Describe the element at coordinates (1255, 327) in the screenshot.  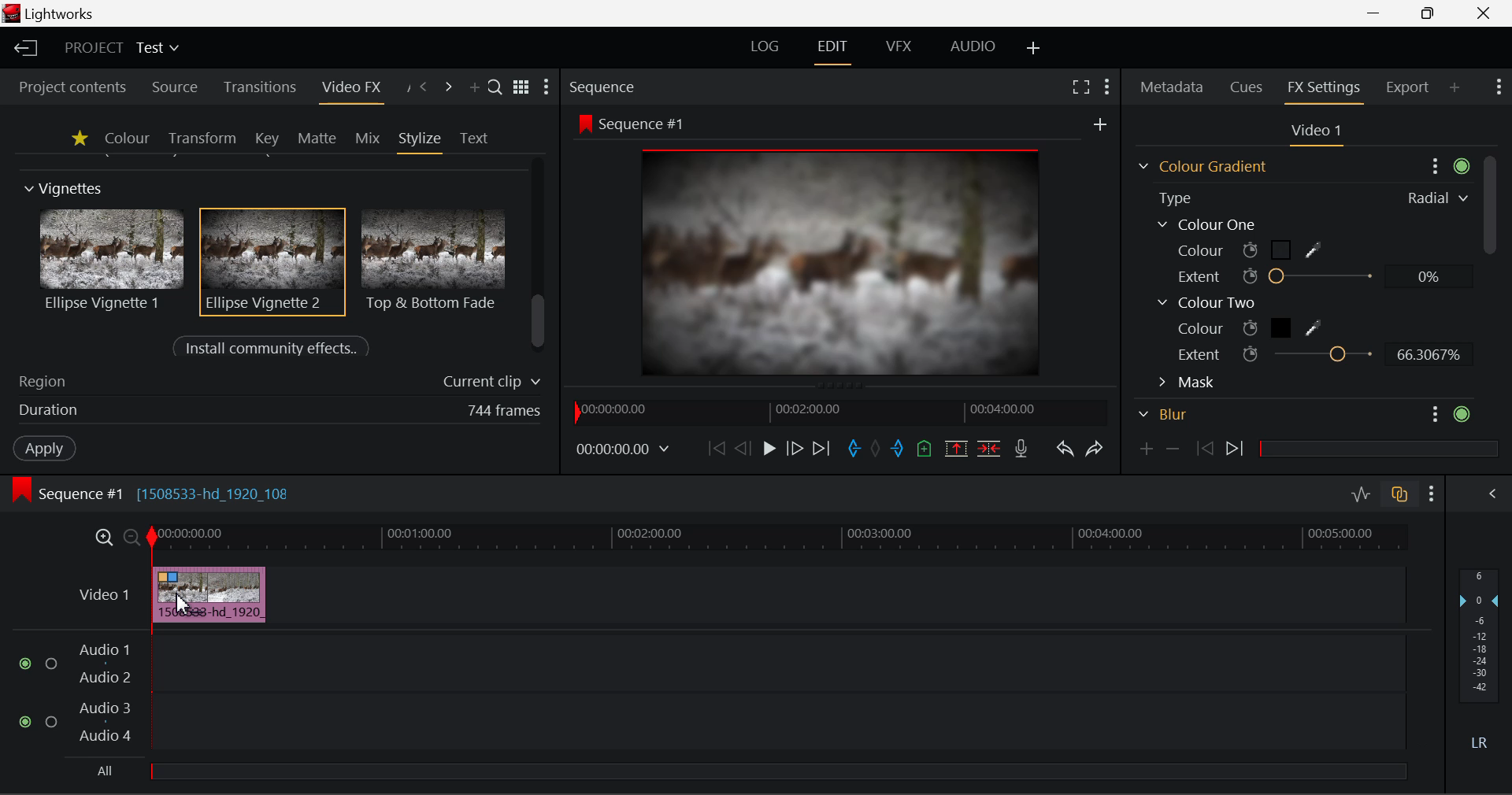
I see `Colour ` at that location.